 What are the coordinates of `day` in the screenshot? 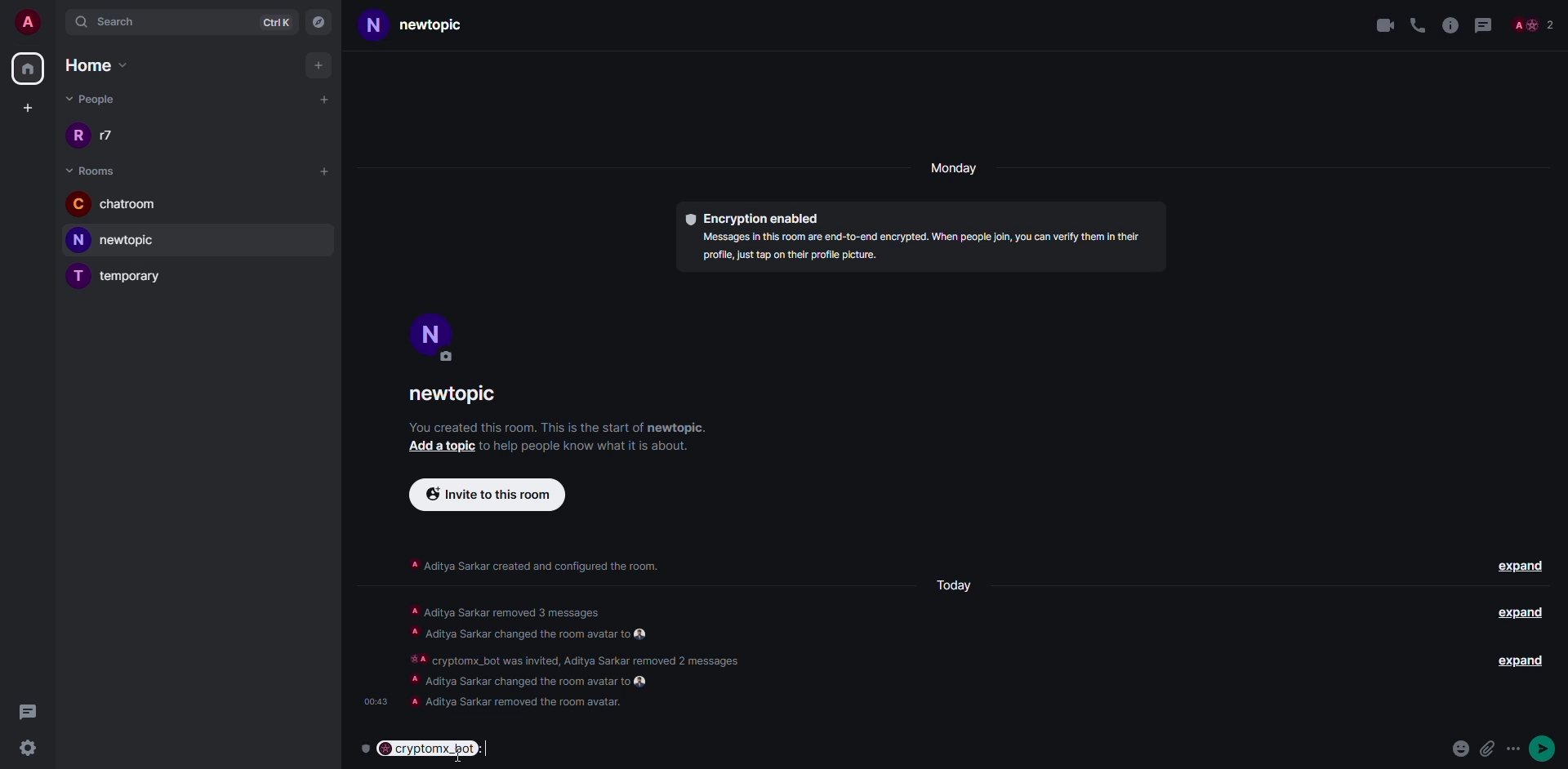 It's located at (956, 170).